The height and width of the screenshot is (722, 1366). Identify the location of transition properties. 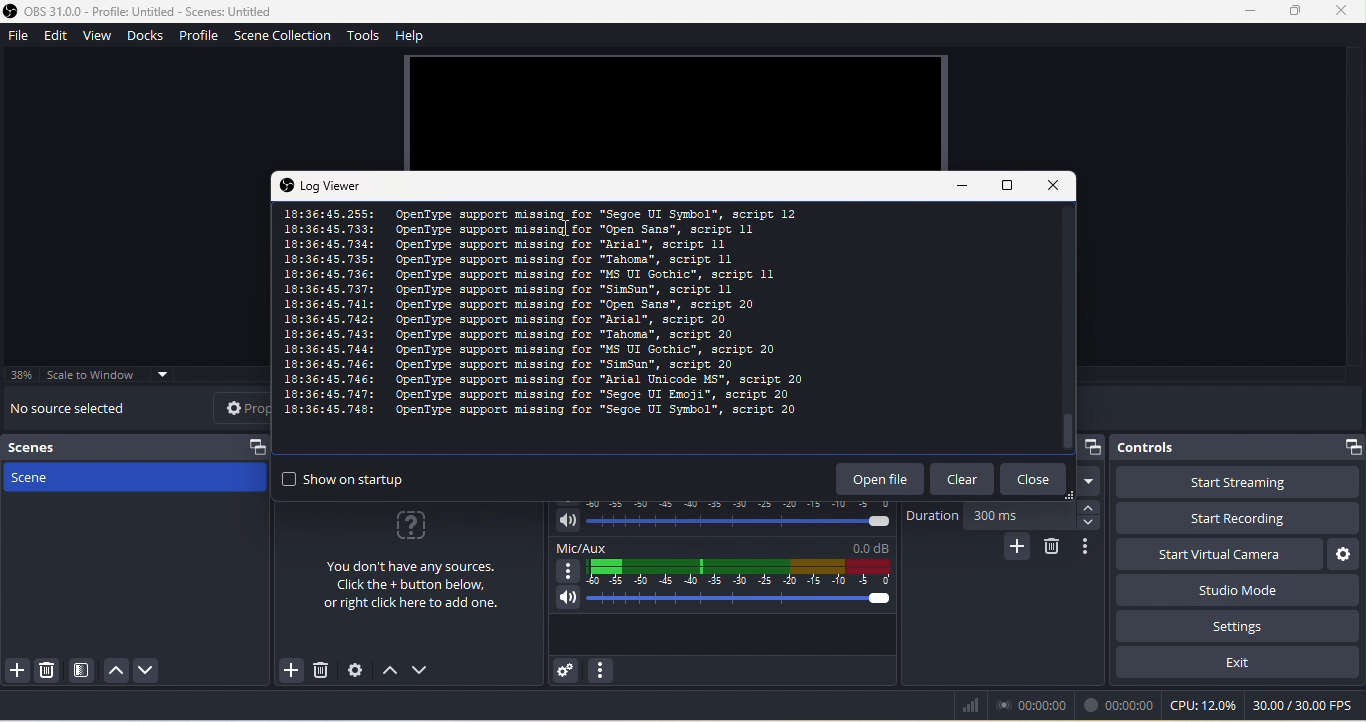
(1091, 548).